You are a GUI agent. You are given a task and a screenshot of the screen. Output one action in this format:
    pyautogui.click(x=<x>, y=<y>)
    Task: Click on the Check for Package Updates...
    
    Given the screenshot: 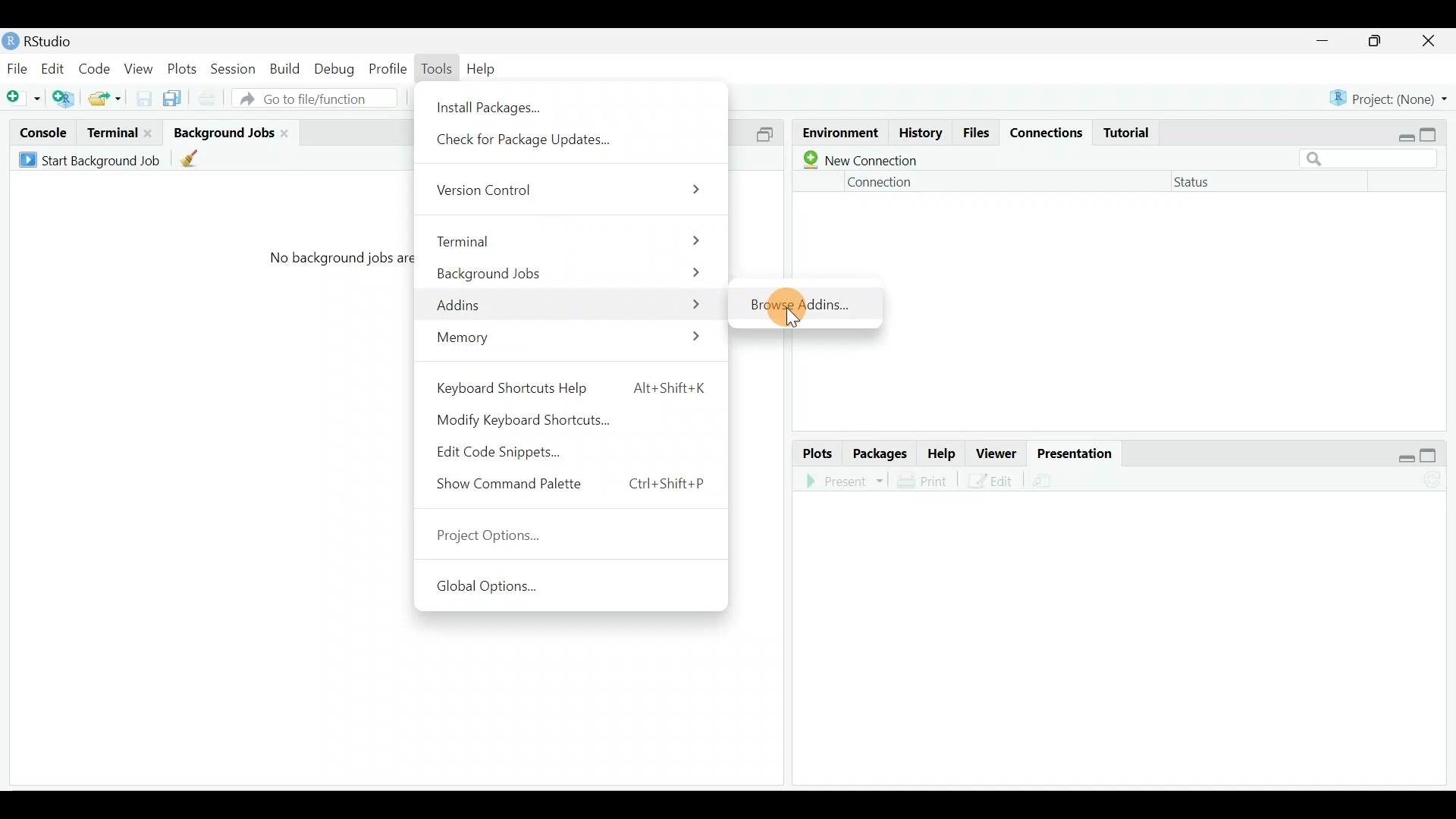 What is the action you would take?
    pyautogui.click(x=532, y=143)
    